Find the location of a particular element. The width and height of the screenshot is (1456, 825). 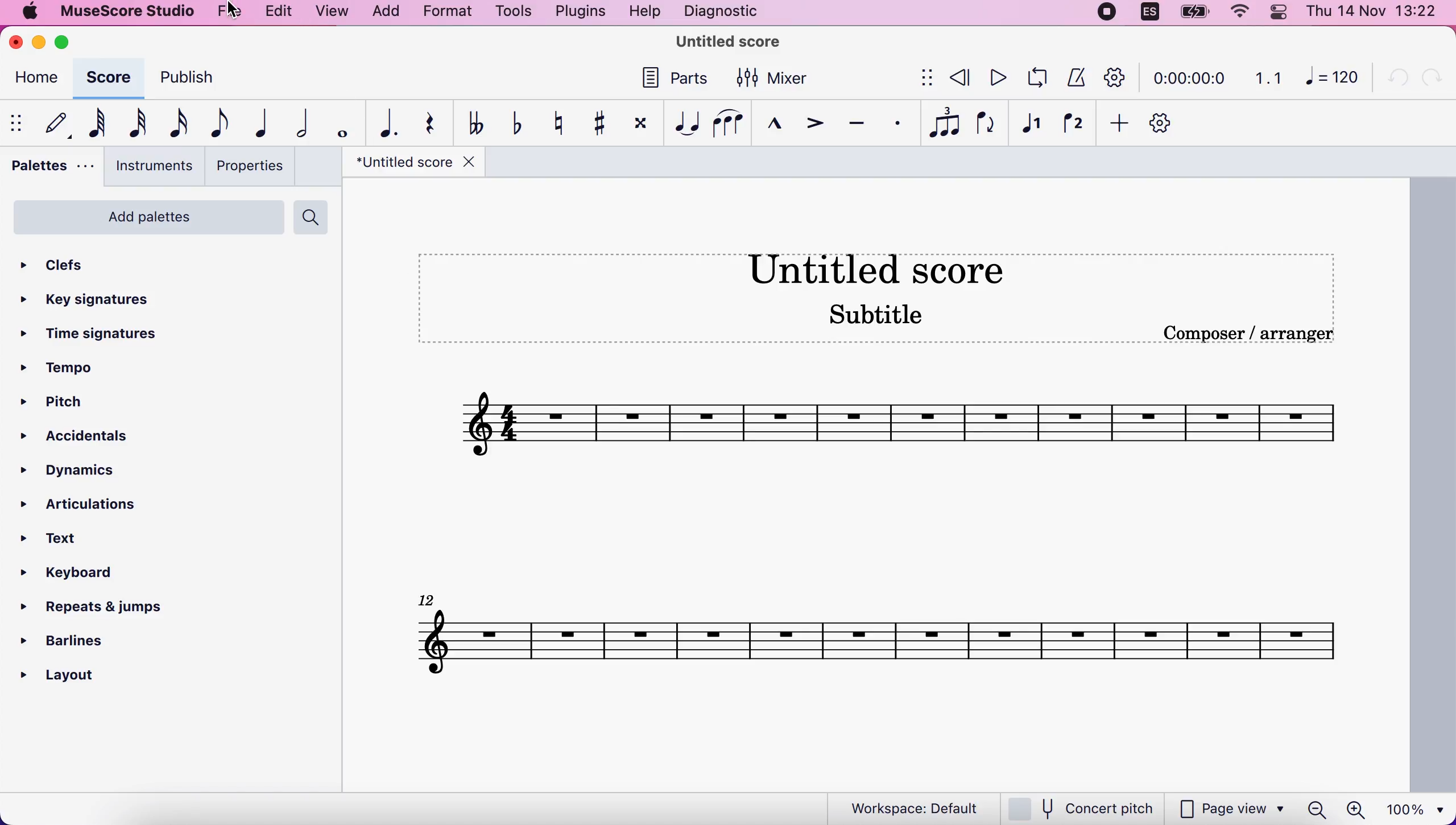

toggle double flat is located at coordinates (471, 125).